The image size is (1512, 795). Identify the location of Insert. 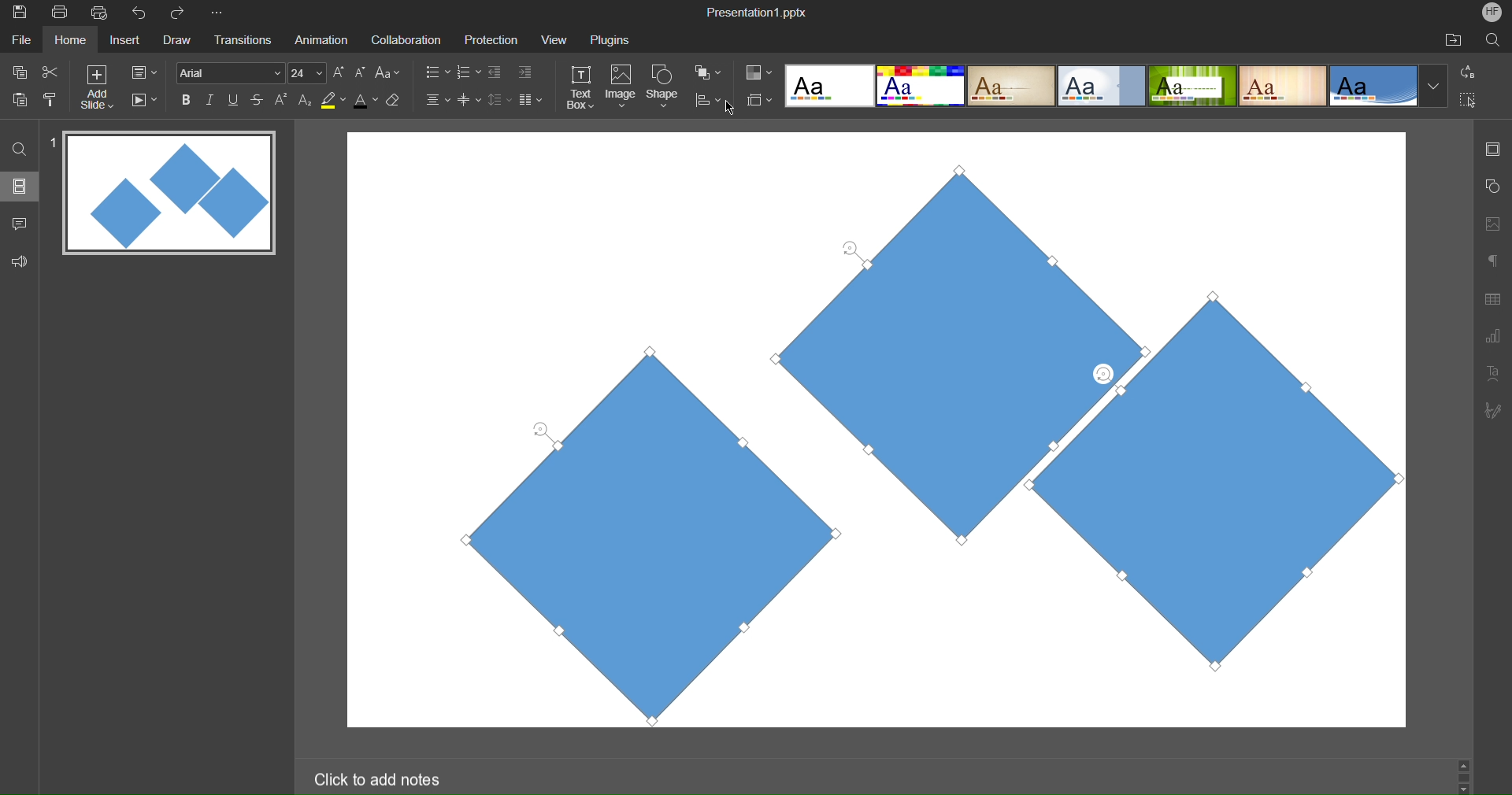
(123, 41).